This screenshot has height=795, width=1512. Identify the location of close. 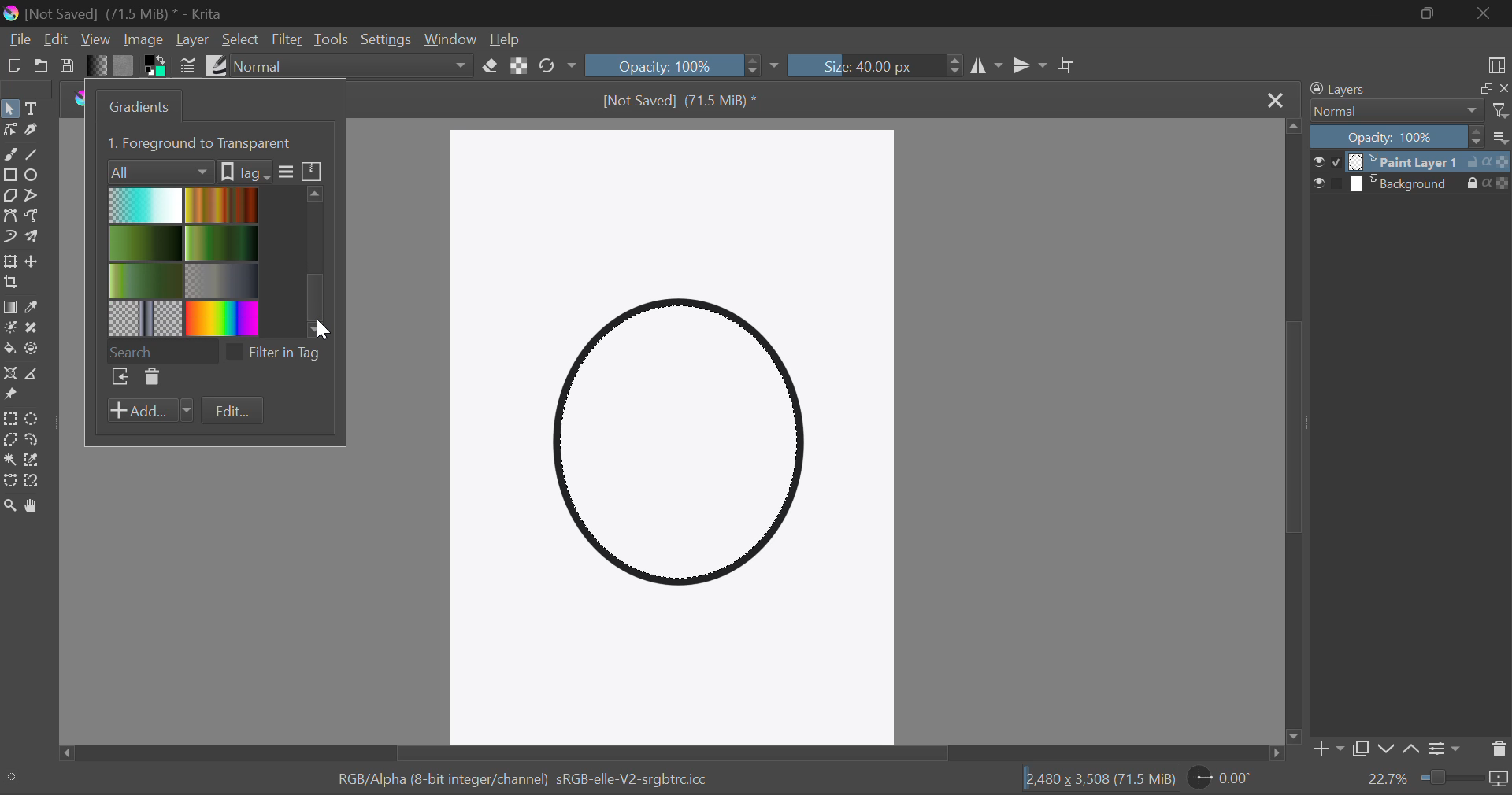
(1504, 87).